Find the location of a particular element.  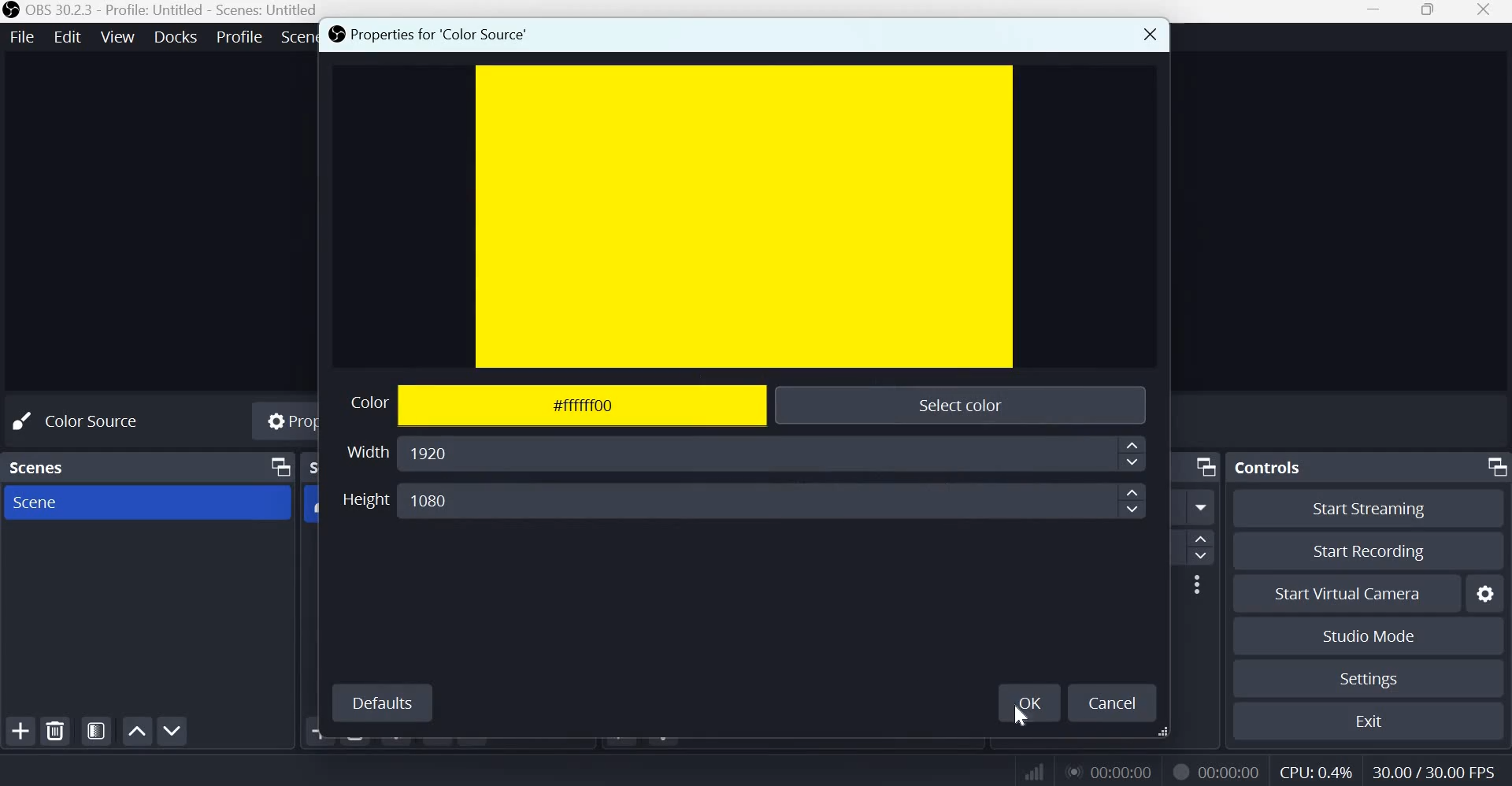

Frame Rate (FPS) is located at coordinates (1429, 770).